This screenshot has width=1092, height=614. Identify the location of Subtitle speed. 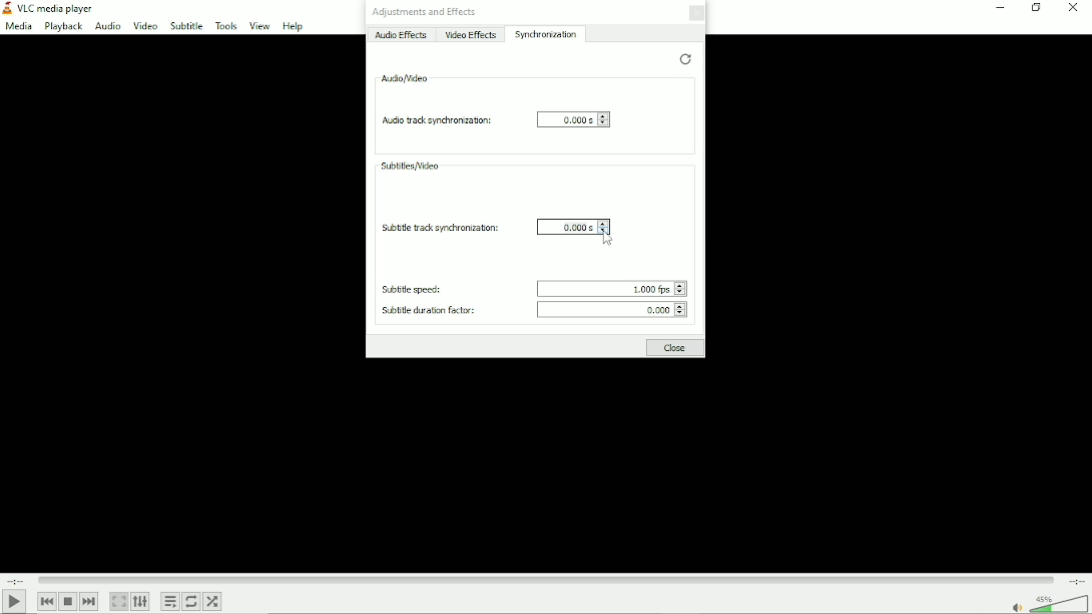
(408, 289).